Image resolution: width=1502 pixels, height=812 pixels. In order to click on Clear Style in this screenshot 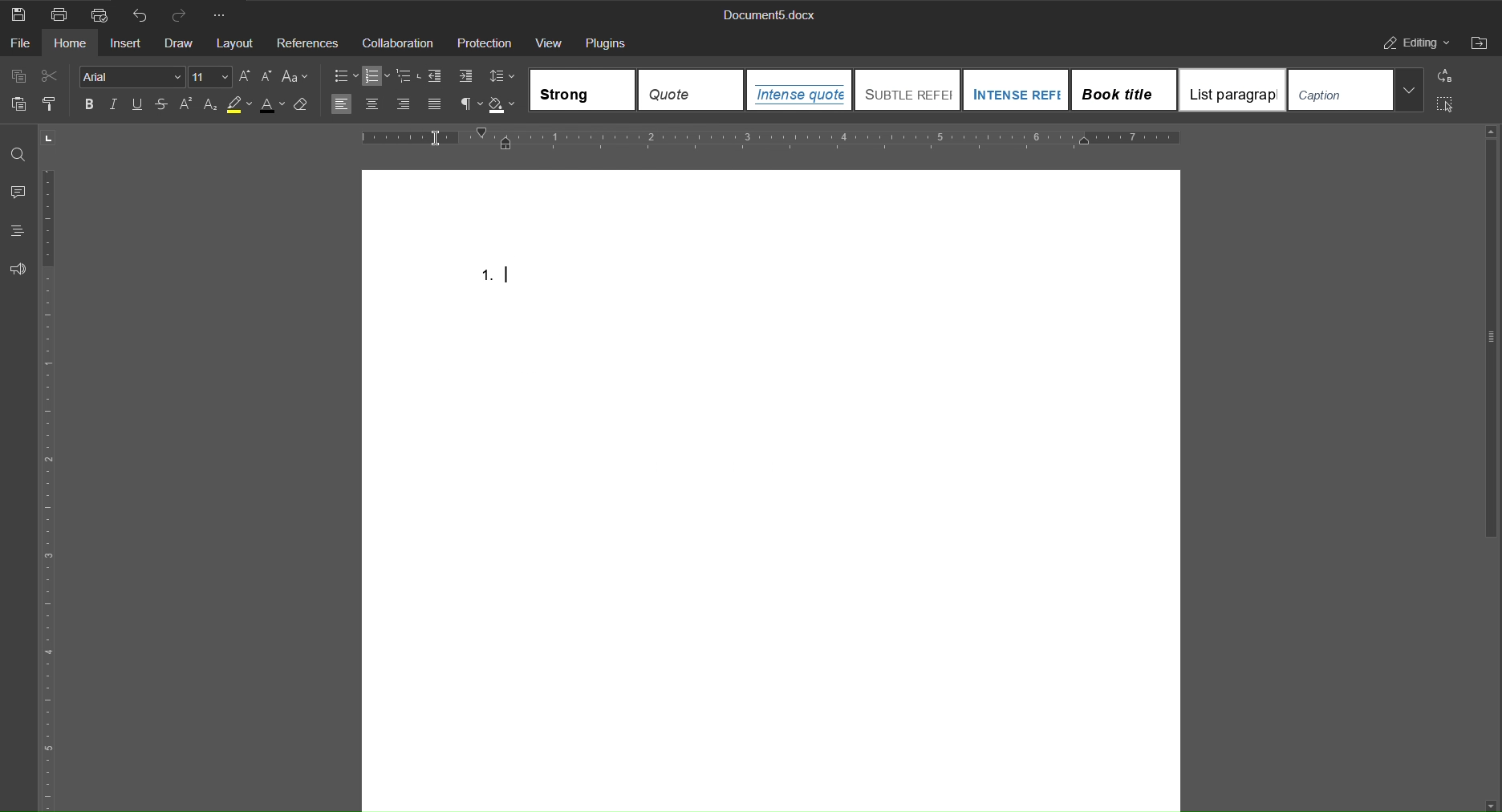, I will do `click(304, 104)`.